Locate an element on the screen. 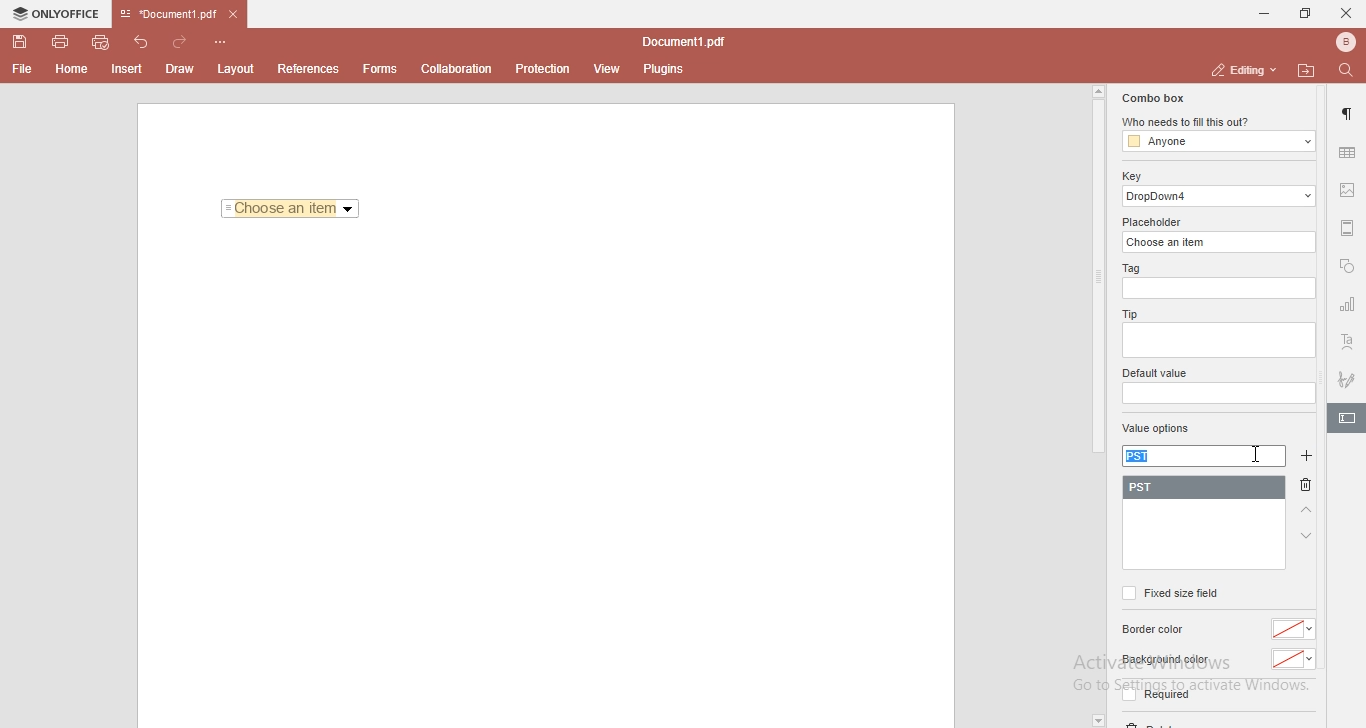 This screenshot has width=1366, height=728. redo is located at coordinates (184, 38).